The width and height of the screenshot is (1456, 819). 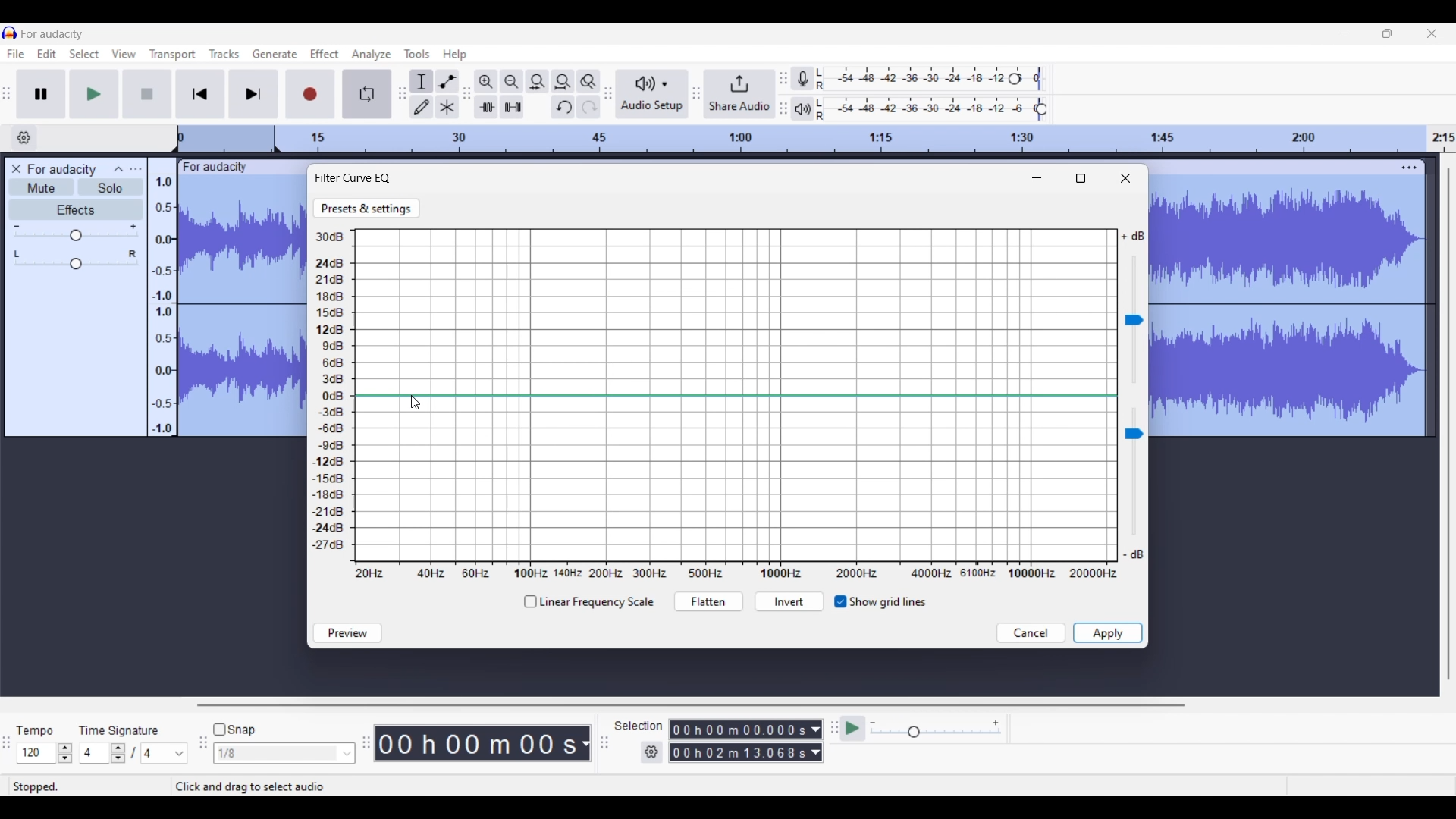 I want to click on Horizontal slide bar, so click(x=691, y=705).